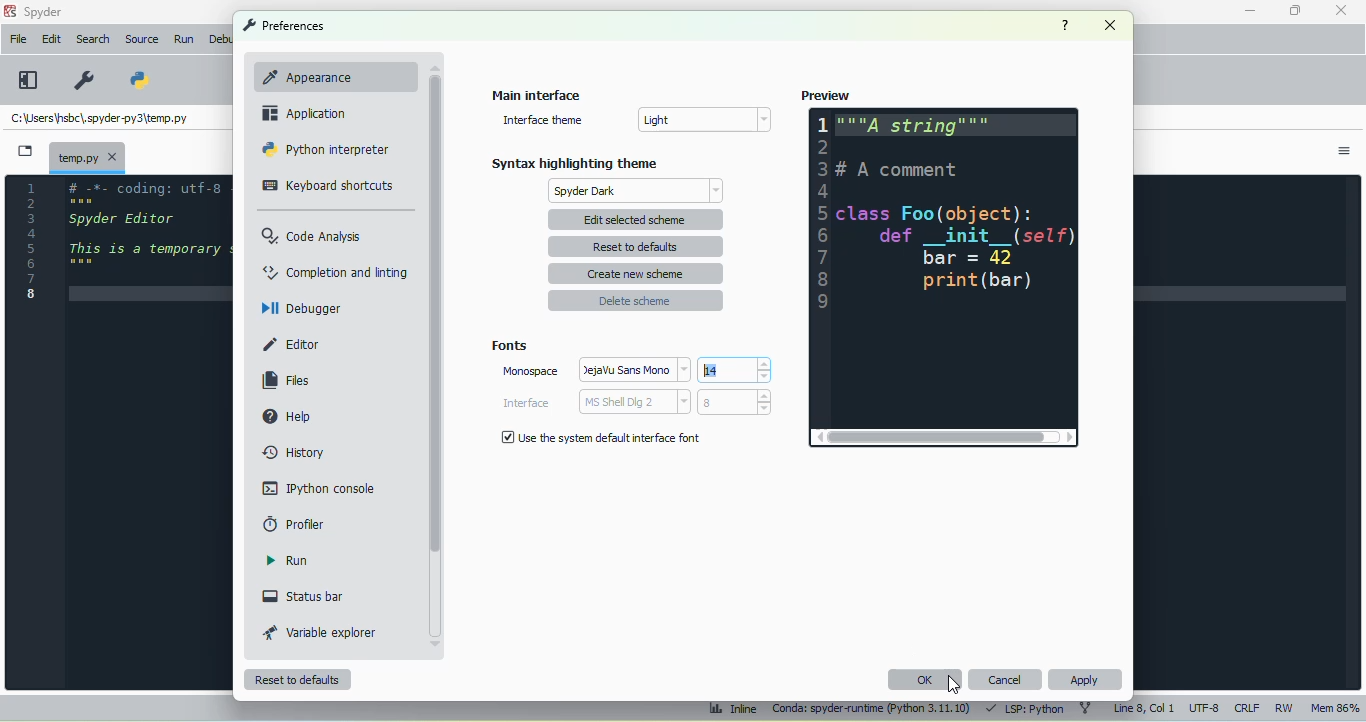 This screenshot has width=1366, height=722. What do you see at coordinates (303, 596) in the screenshot?
I see `status bar` at bounding box center [303, 596].